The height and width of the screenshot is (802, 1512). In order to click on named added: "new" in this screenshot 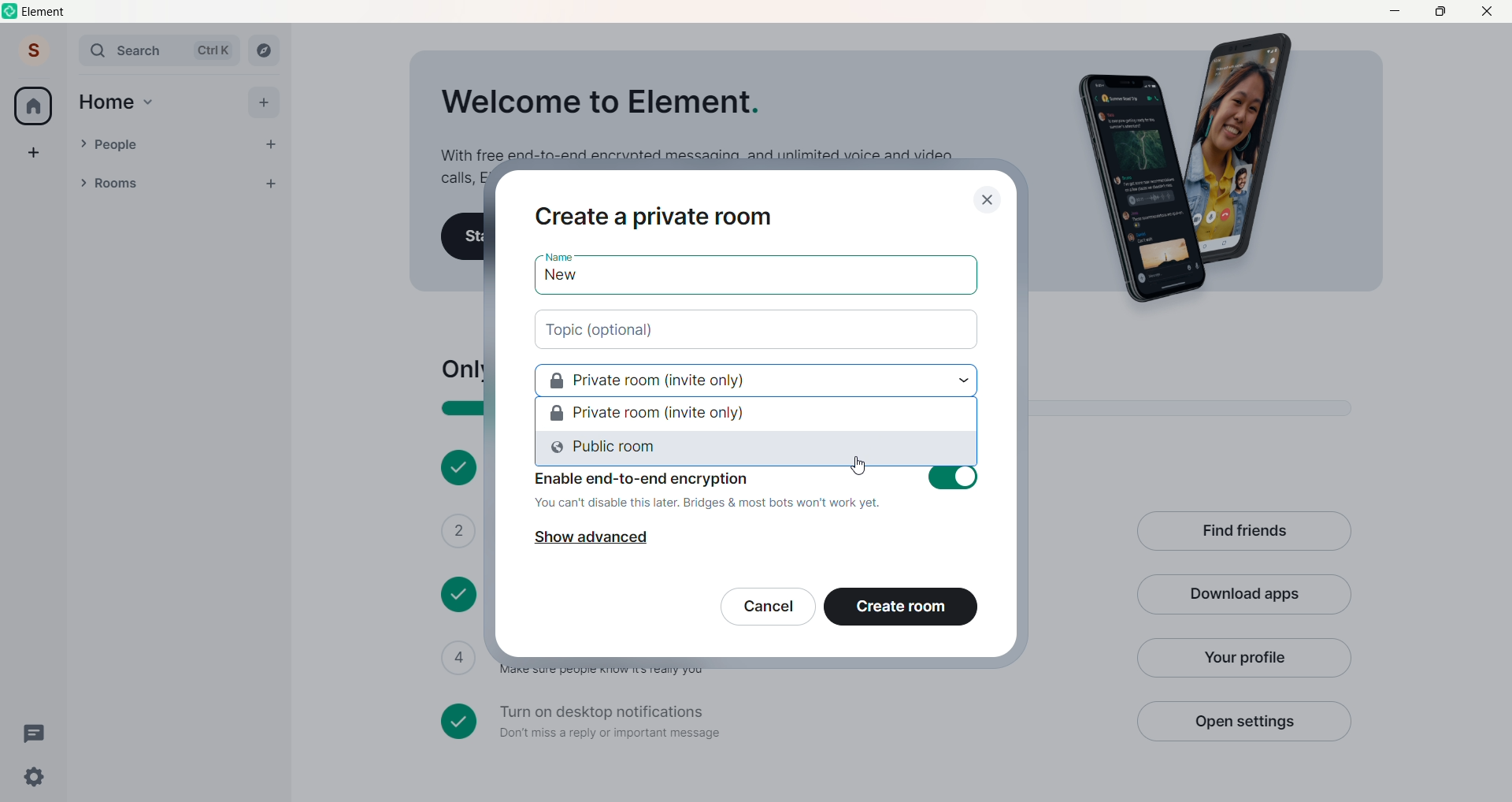, I will do `click(755, 279)`.